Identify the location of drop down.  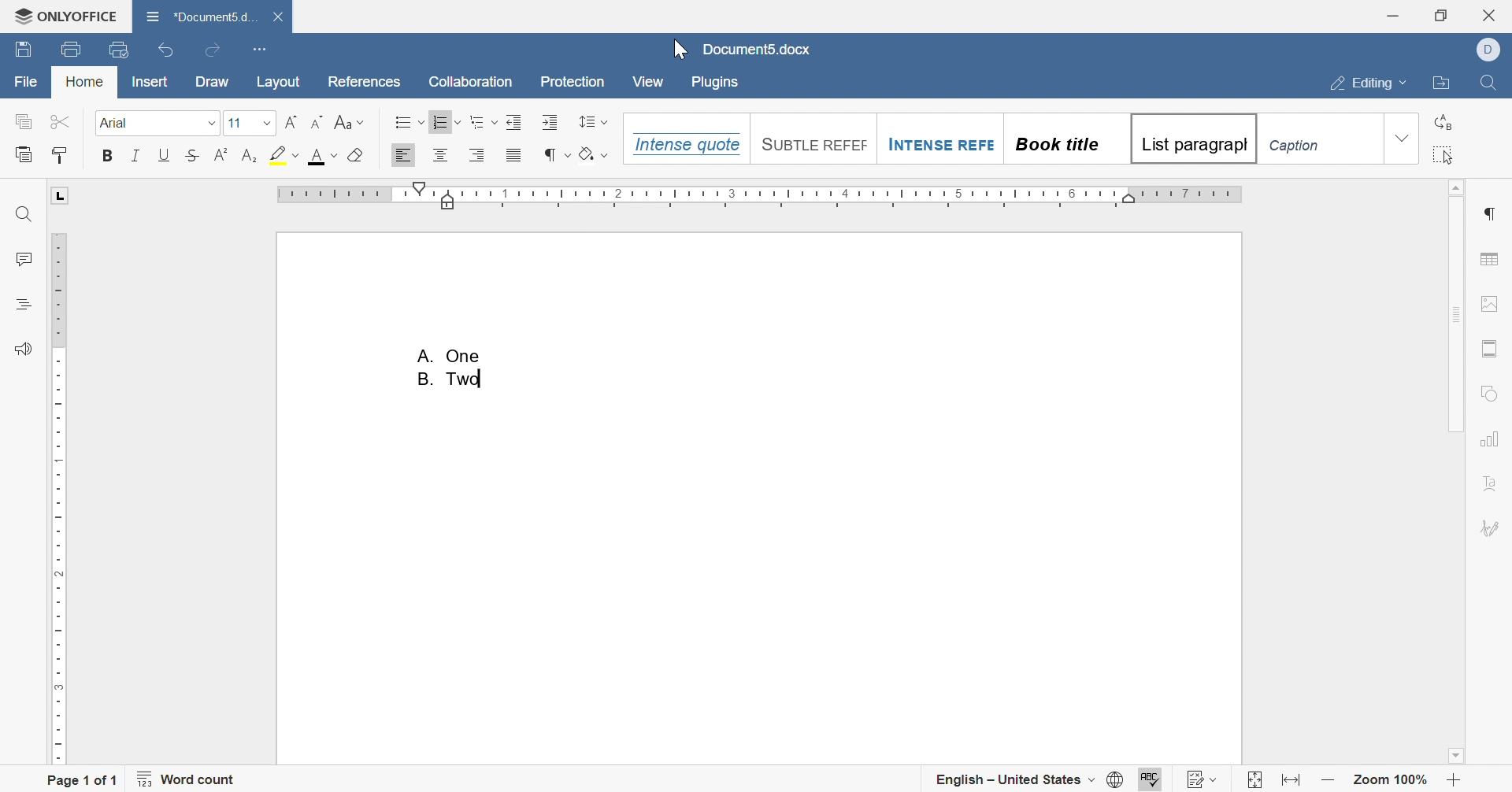
(1403, 138).